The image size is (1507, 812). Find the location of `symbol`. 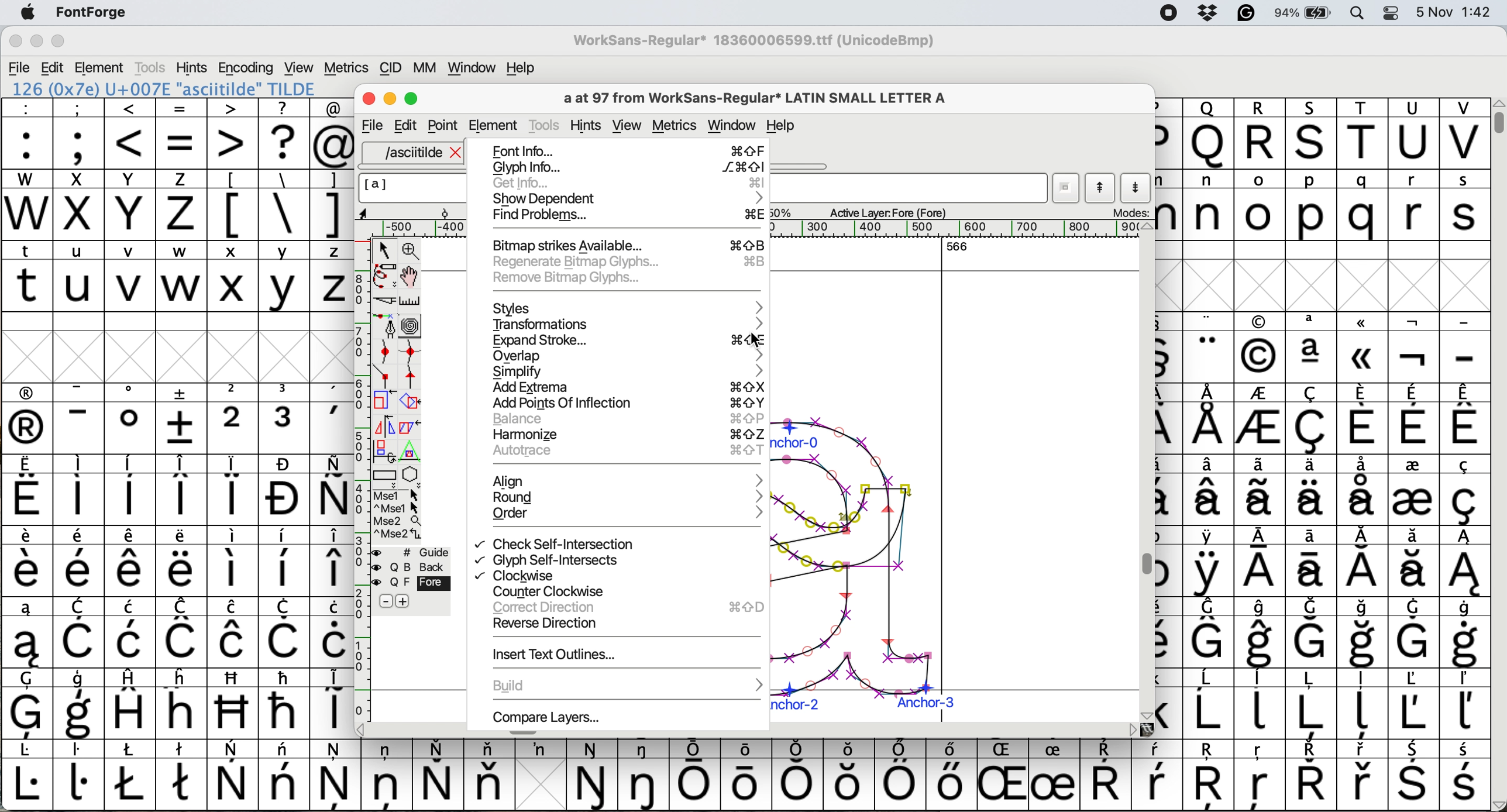

symbol is located at coordinates (286, 418).